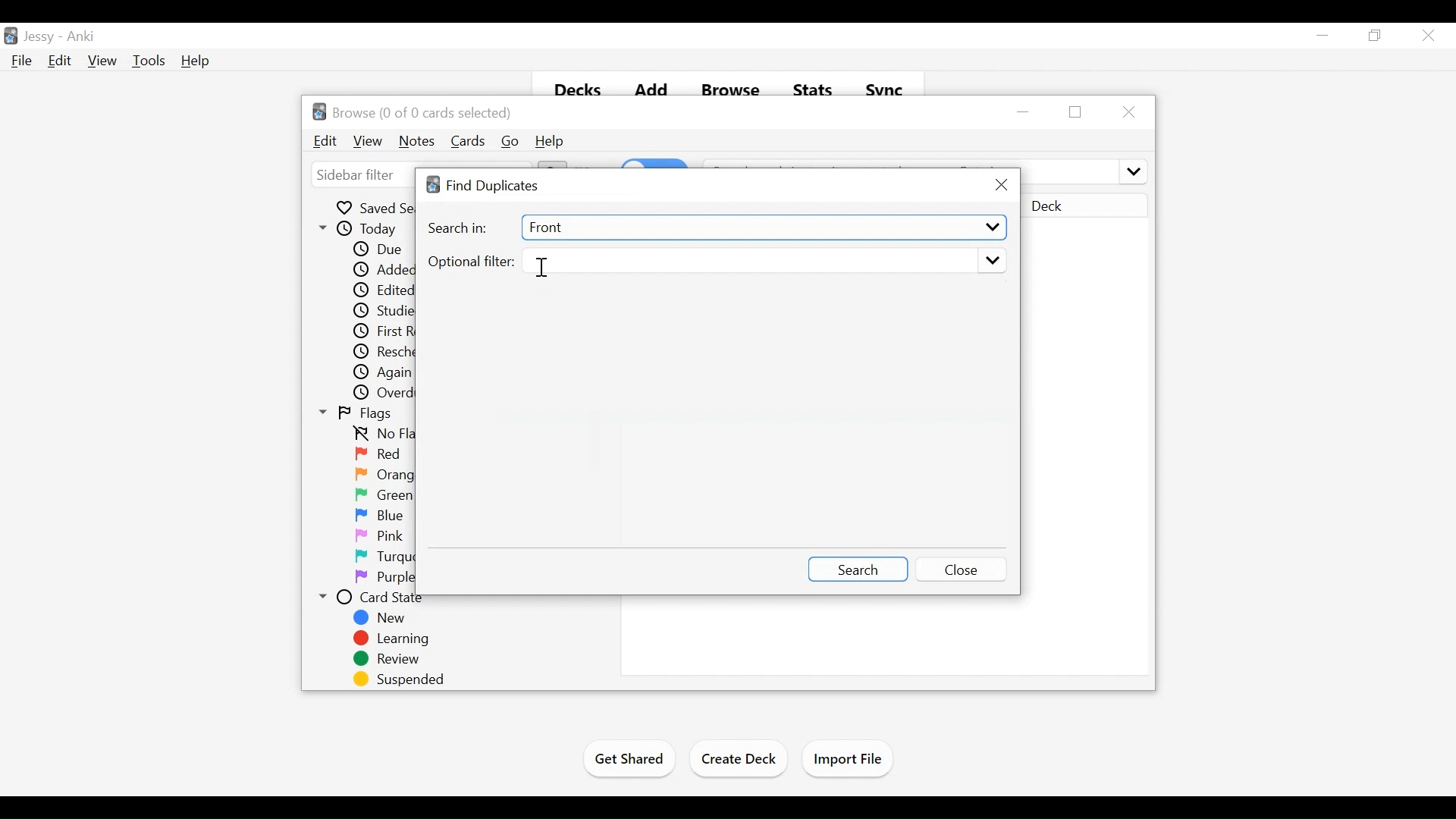 This screenshot has width=1456, height=819. Describe the element at coordinates (326, 141) in the screenshot. I see `Edit` at that location.